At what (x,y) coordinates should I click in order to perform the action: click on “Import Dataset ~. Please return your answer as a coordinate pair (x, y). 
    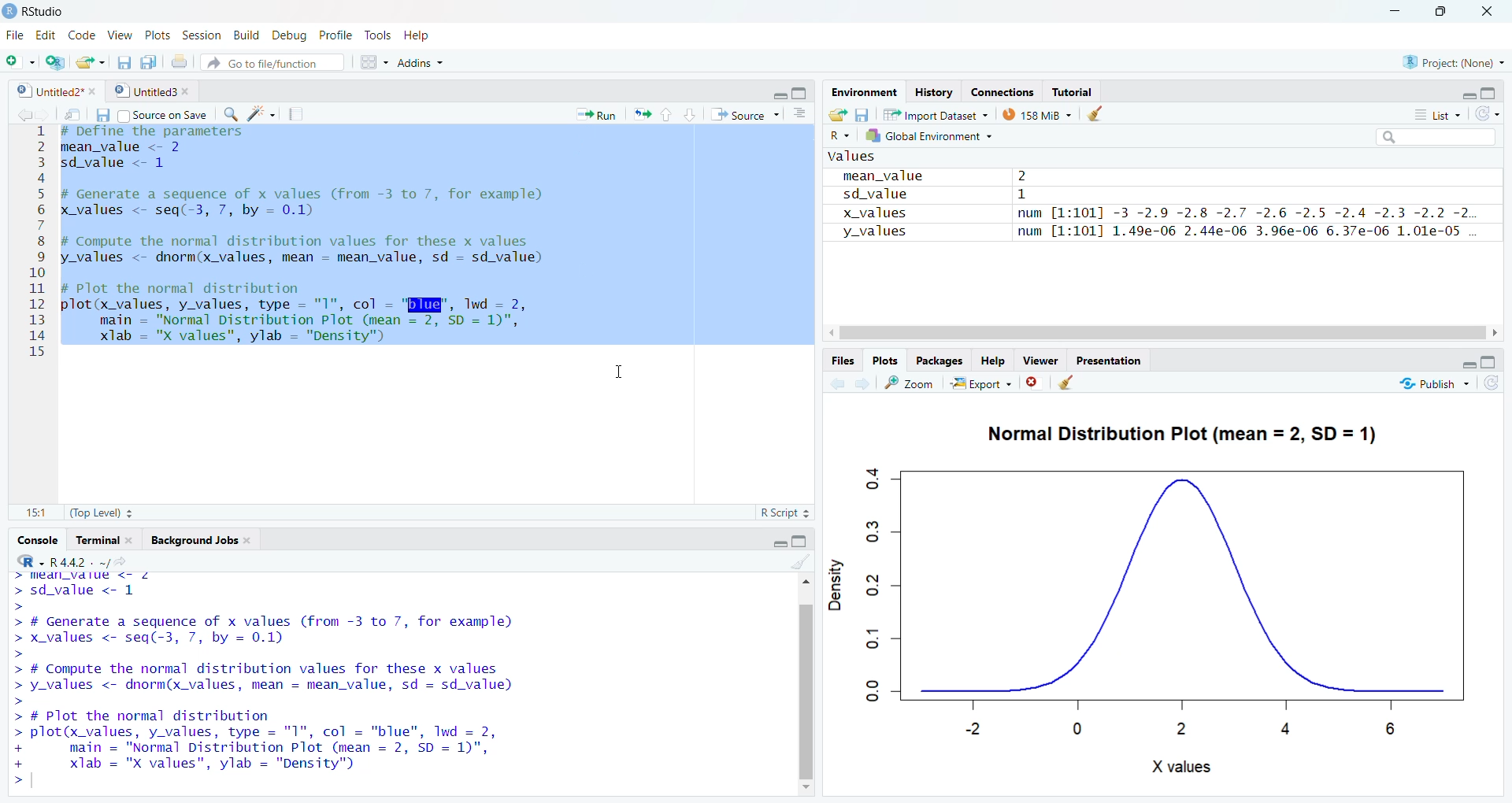
    Looking at the image, I should click on (935, 114).